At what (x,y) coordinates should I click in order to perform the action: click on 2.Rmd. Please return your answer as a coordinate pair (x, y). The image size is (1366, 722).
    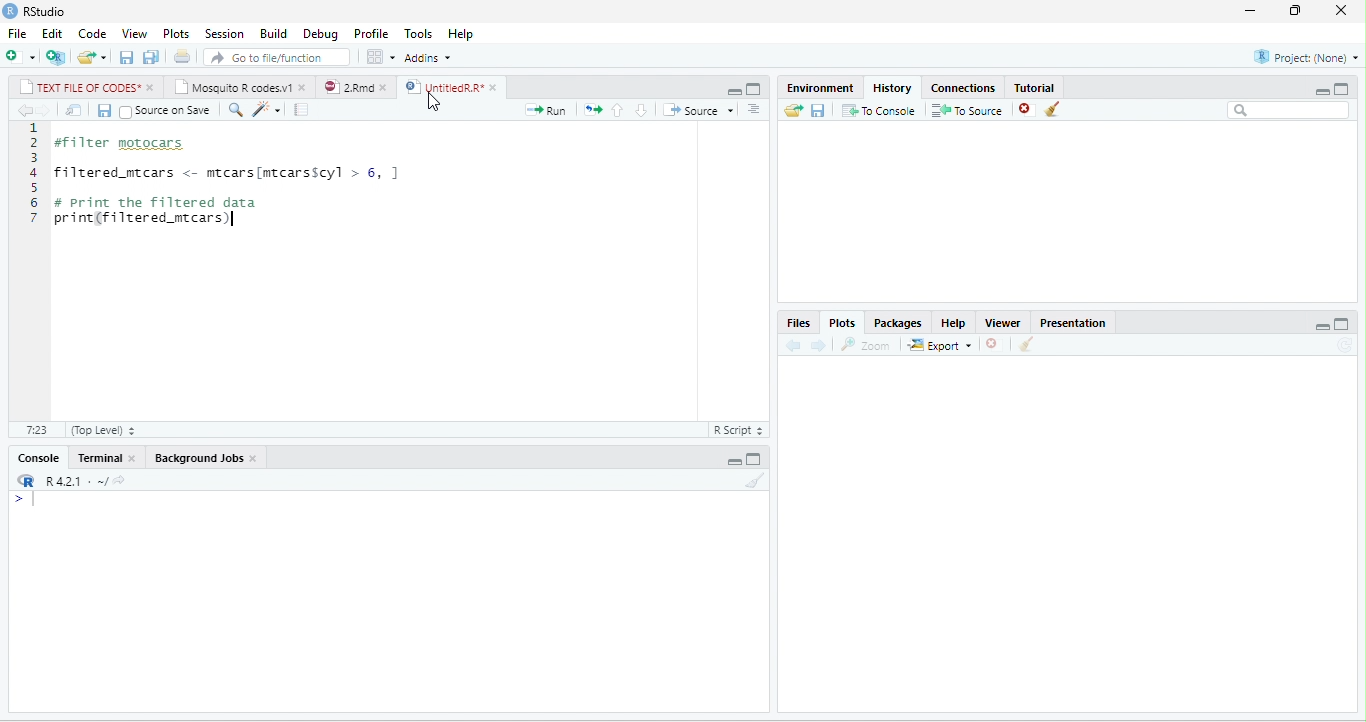
    Looking at the image, I should click on (348, 87).